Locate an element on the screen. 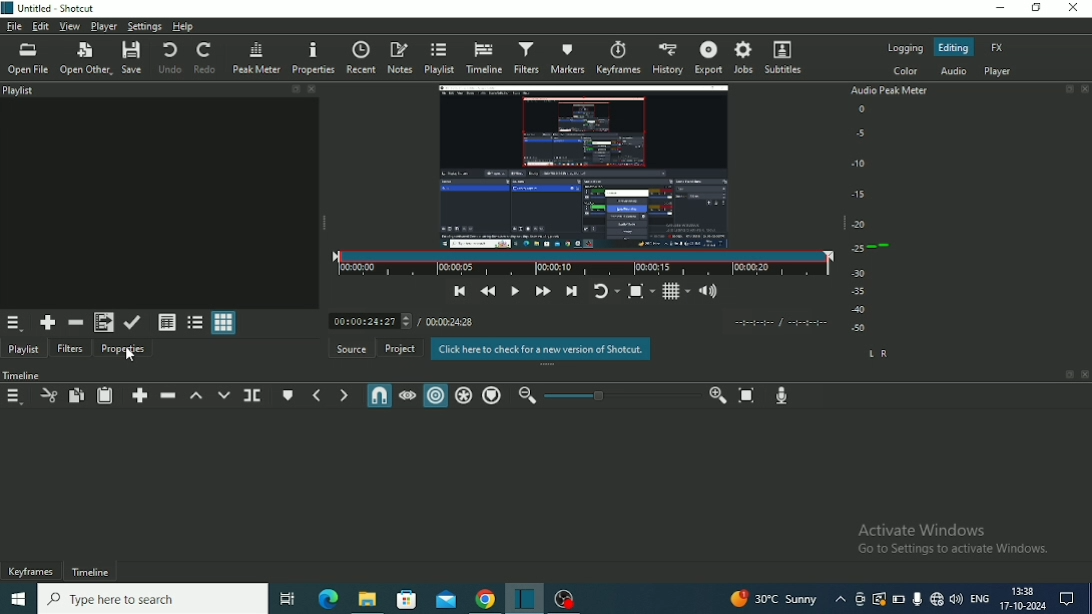  Expand is located at coordinates (1069, 88).